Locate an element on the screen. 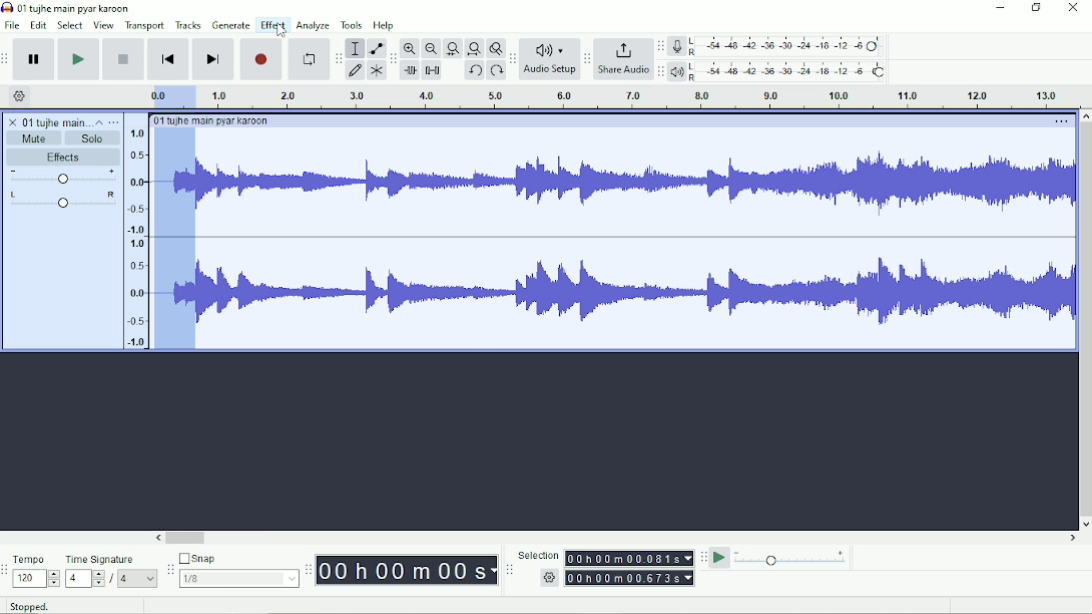  Audio Logo is located at coordinates (550, 46).